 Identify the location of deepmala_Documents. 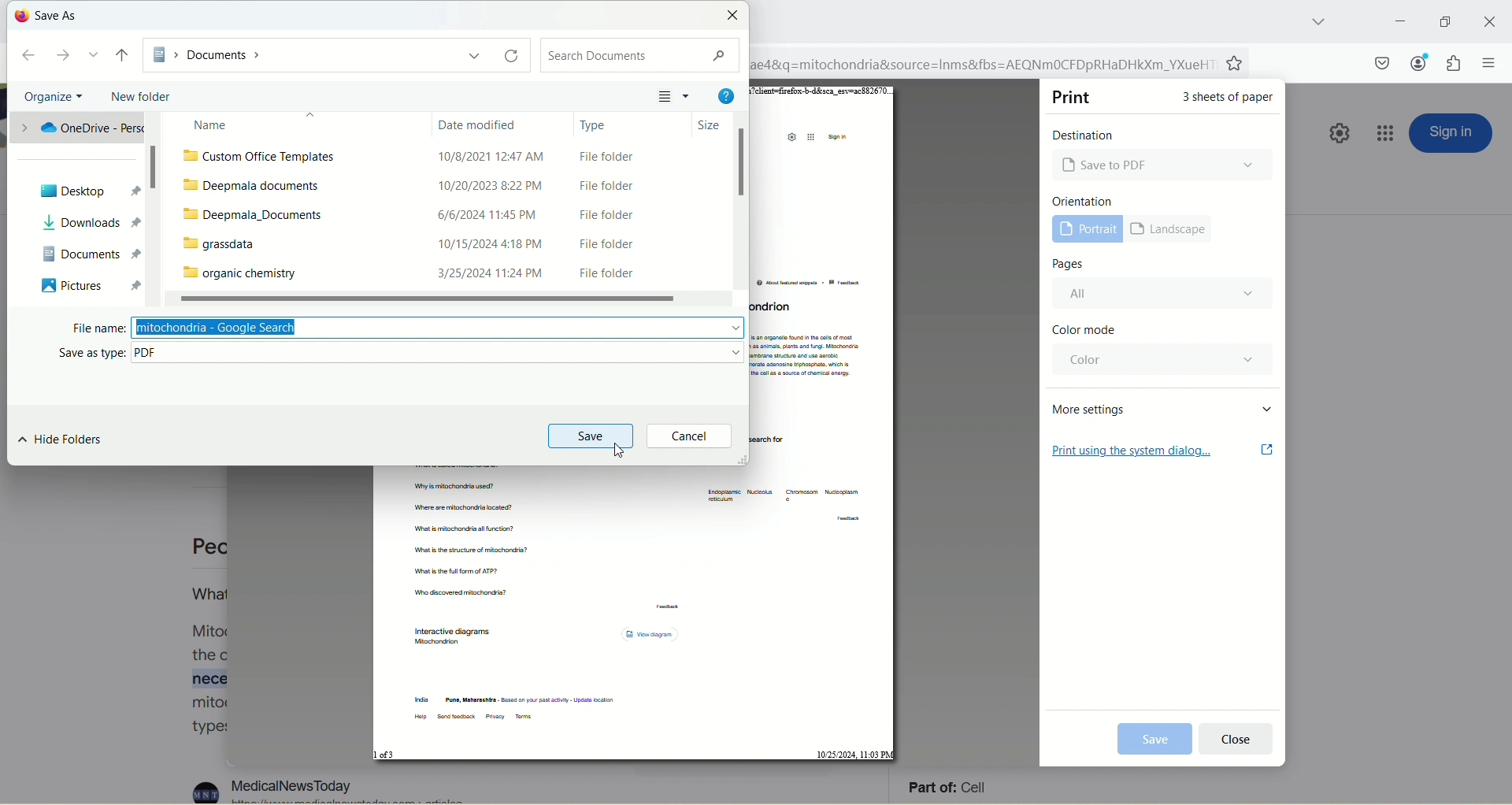
(448, 212).